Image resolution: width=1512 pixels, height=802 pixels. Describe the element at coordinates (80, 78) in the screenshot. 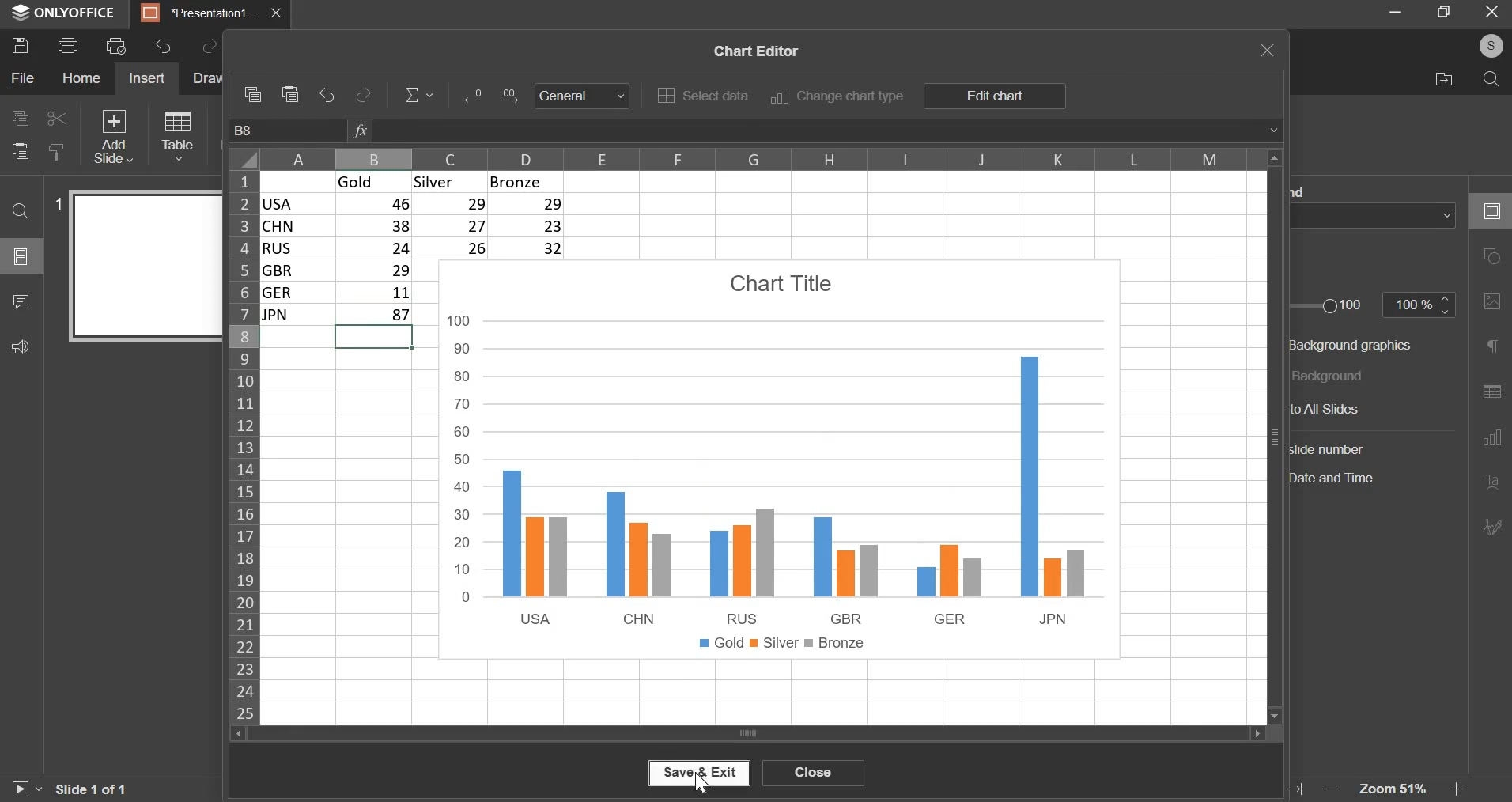

I see `home` at that location.